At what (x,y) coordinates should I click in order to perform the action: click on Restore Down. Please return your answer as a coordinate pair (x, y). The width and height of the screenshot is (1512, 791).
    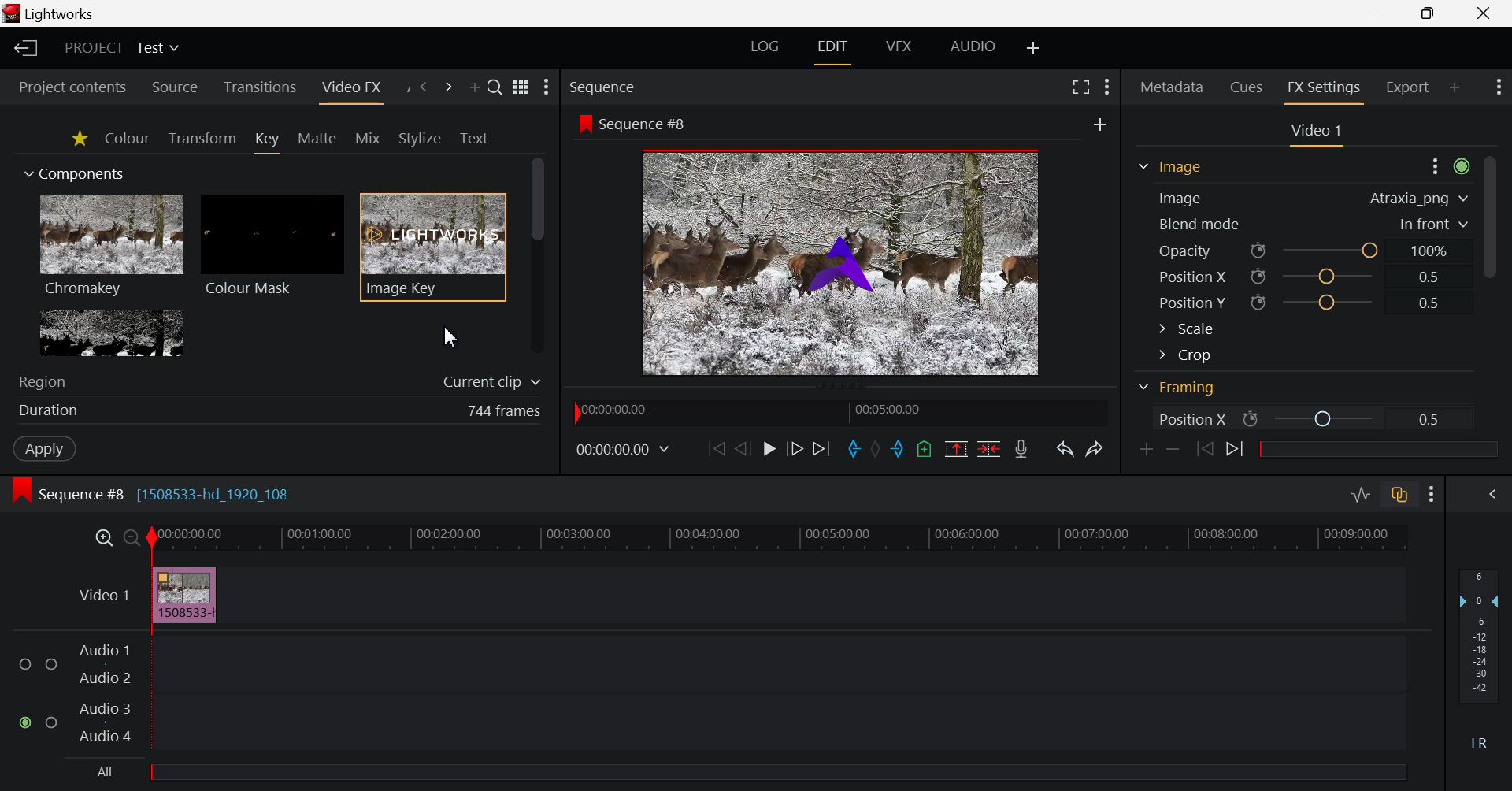
    Looking at the image, I should click on (1375, 13).